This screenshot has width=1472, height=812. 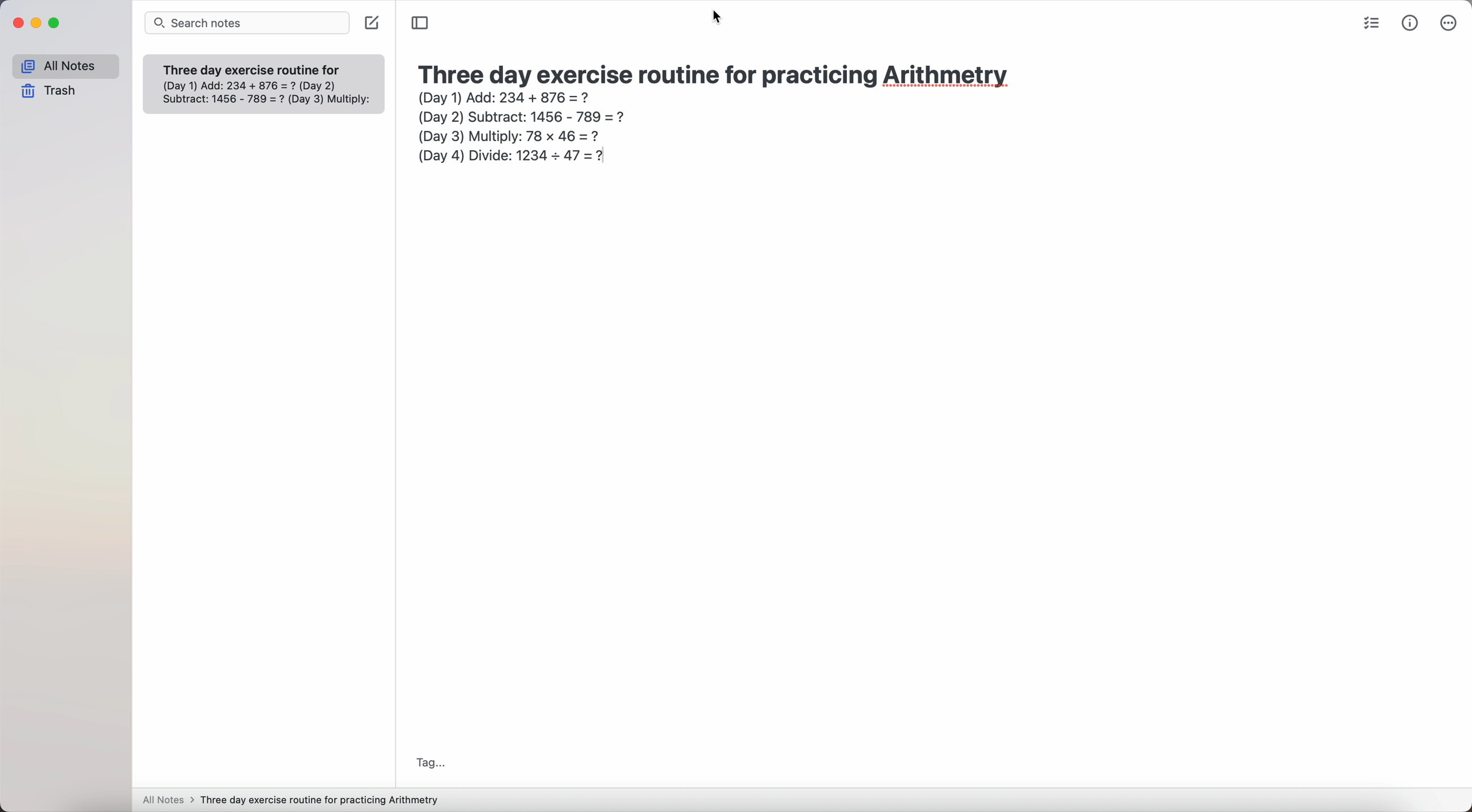 I want to click on cursor, so click(x=716, y=17).